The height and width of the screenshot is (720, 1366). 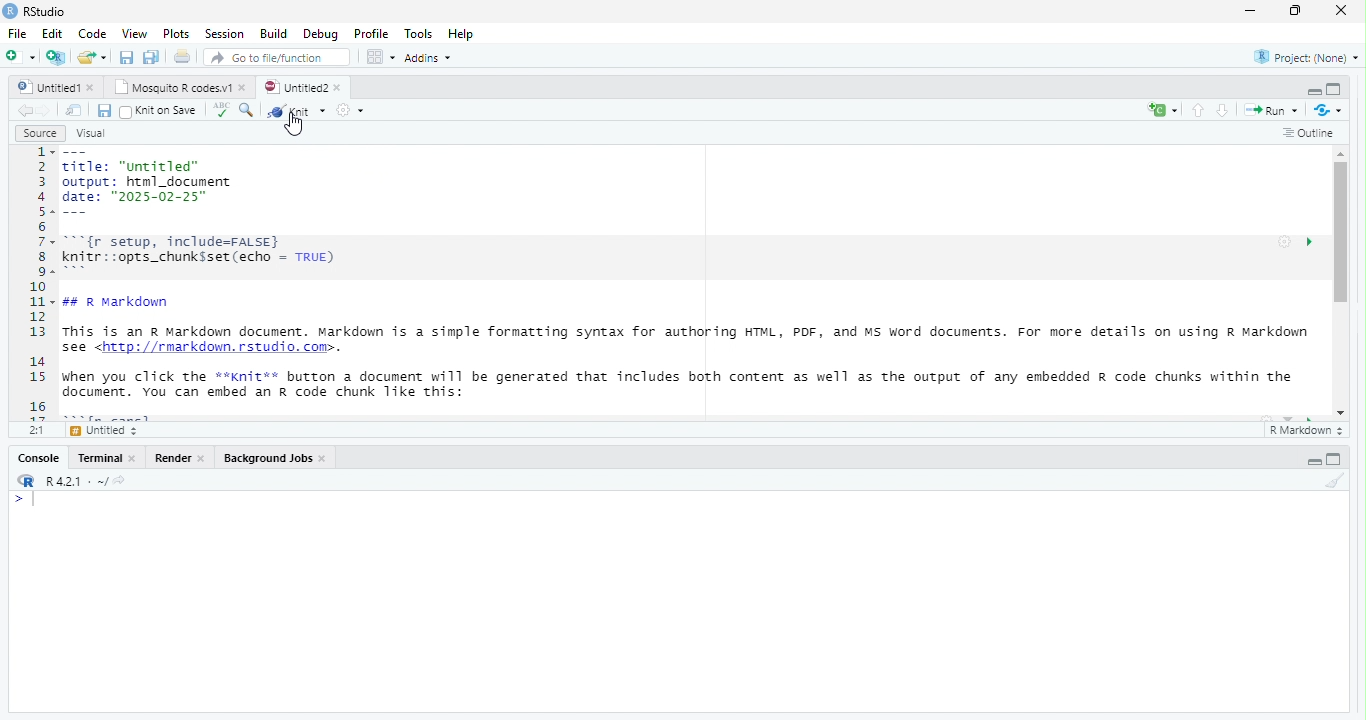 What do you see at coordinates (204, 255) in the screenshot?
I see ````{r setup, include=FALSE}knitr: :opts_chunkSset (echo = TRUE)```` at bounding box center [204, 255].